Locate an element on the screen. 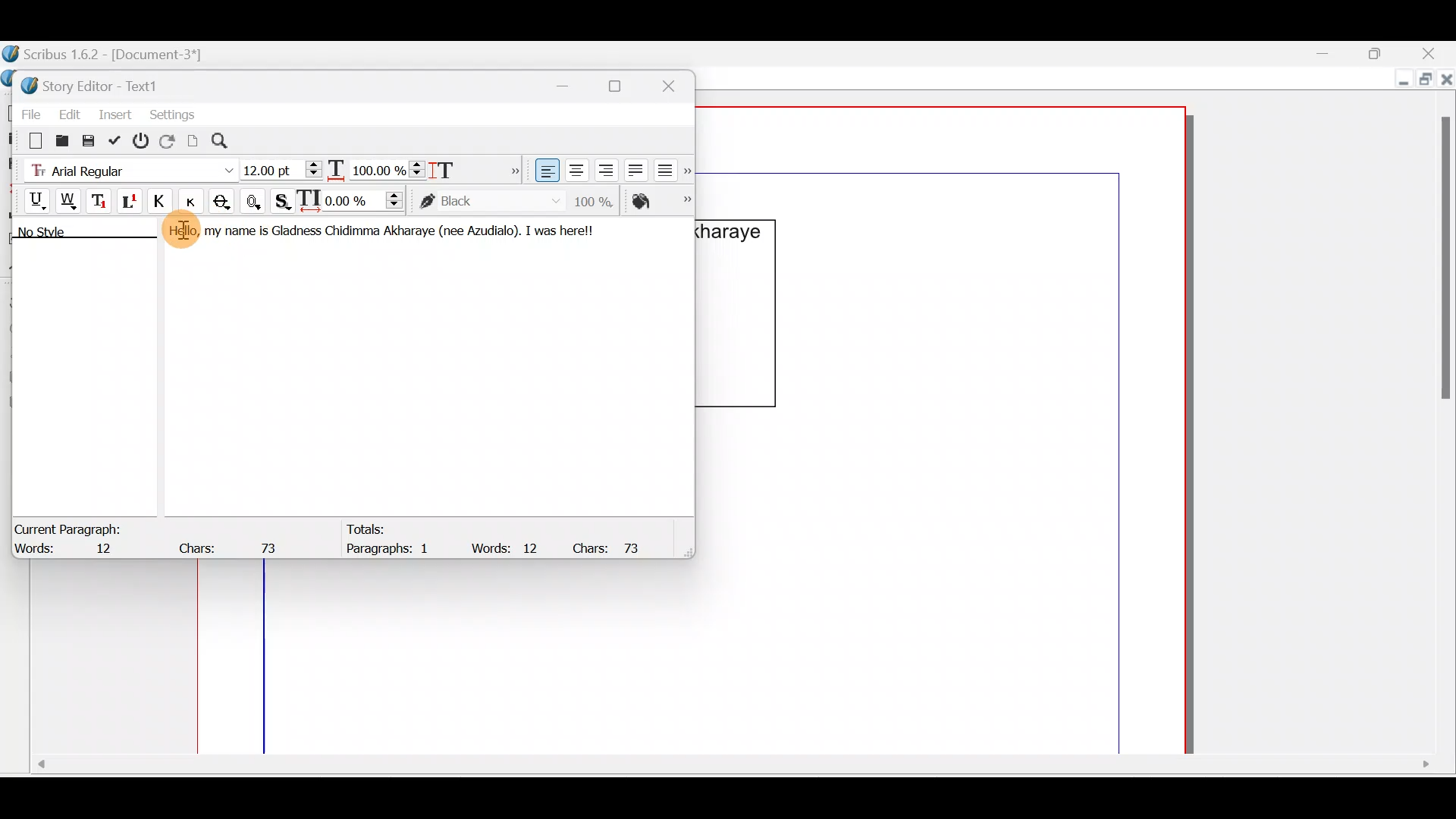 This screenshot has height=819, width=1456. Scroll bar is located at coordinates (1440, 414).